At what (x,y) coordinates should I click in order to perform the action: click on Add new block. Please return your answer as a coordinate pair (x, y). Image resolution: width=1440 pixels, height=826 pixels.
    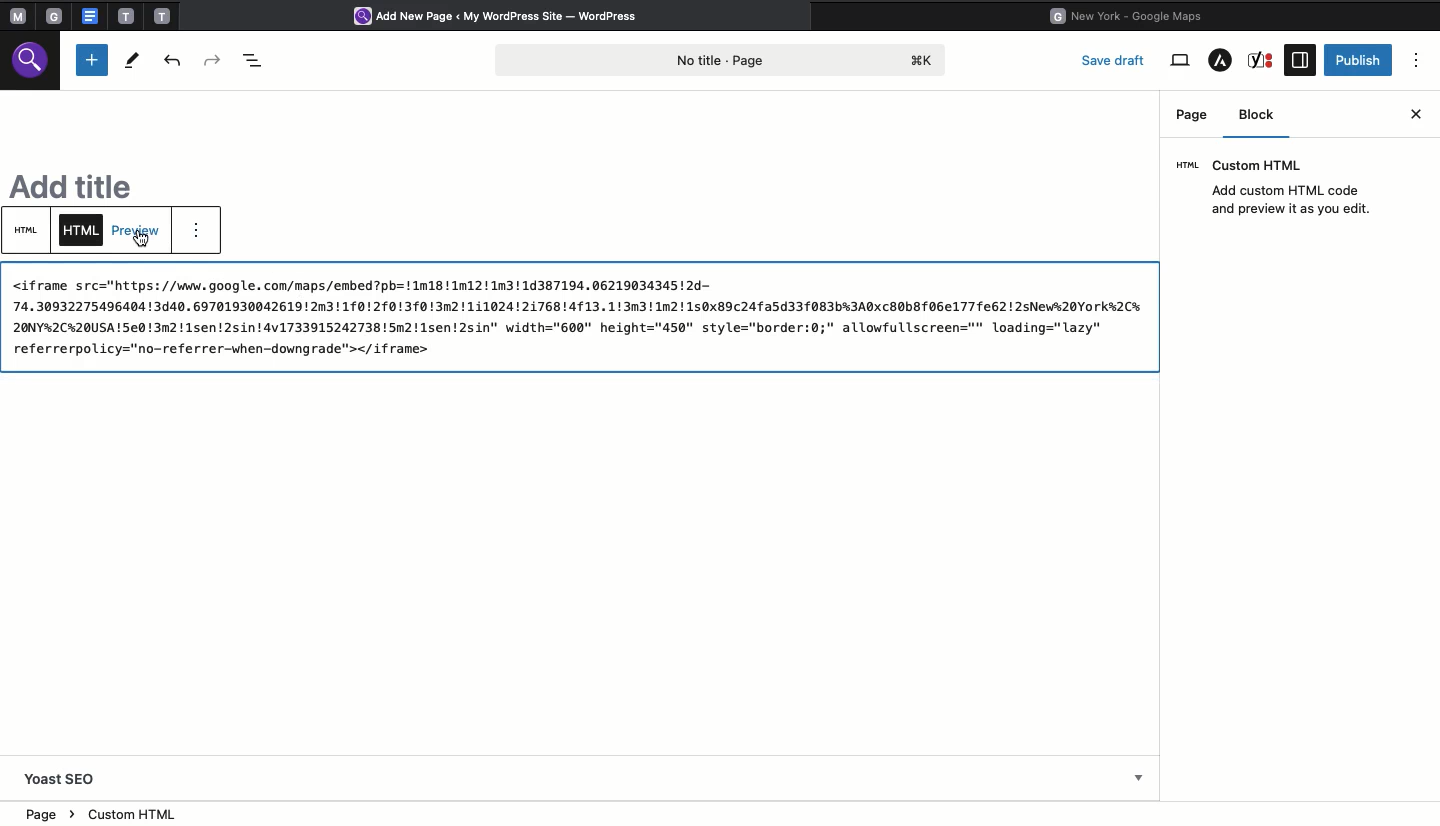
    Looking at the image, I should click on (92, 60).